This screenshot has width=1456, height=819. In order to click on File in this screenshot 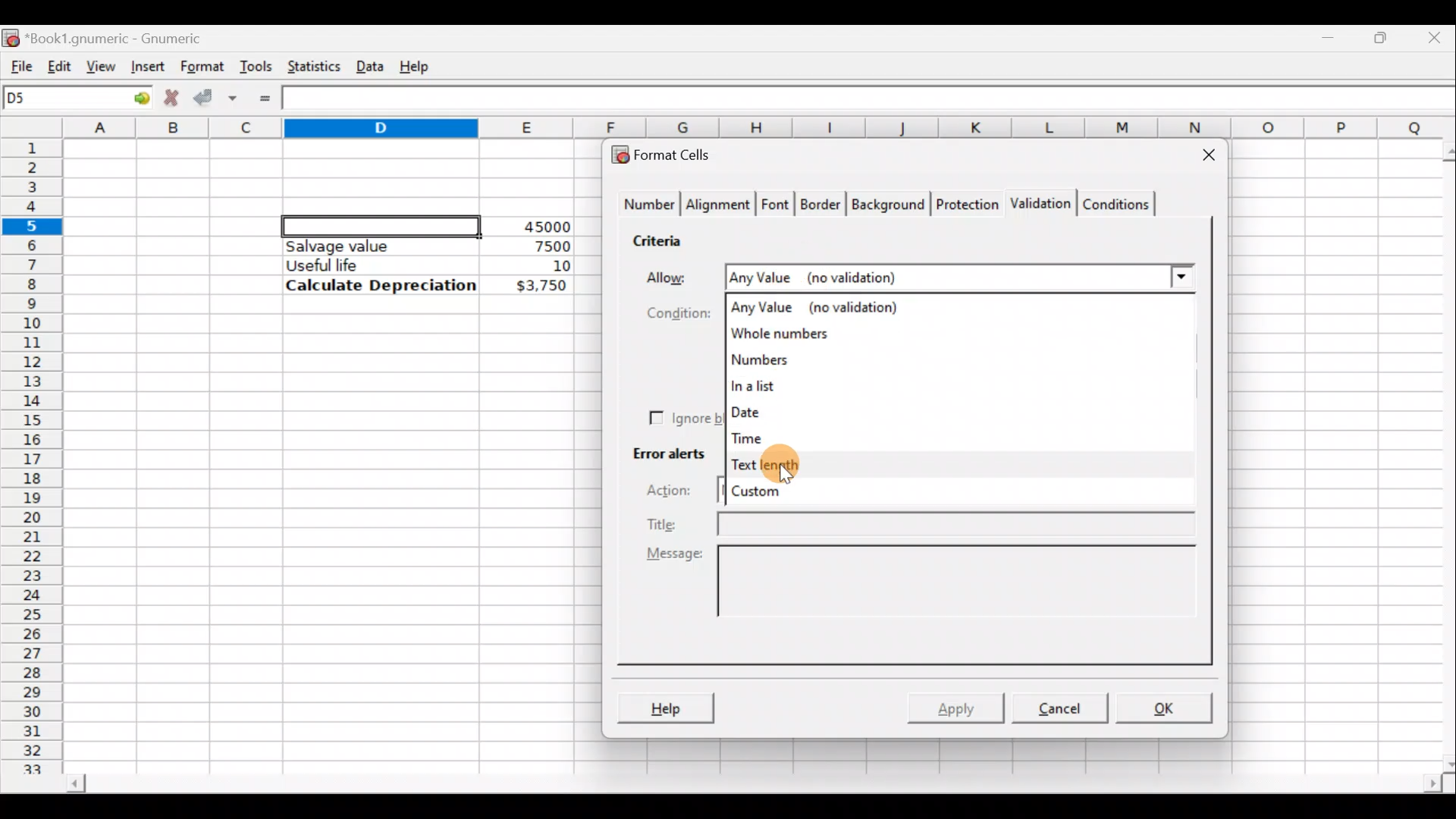, I will do `click(17, 63)`.